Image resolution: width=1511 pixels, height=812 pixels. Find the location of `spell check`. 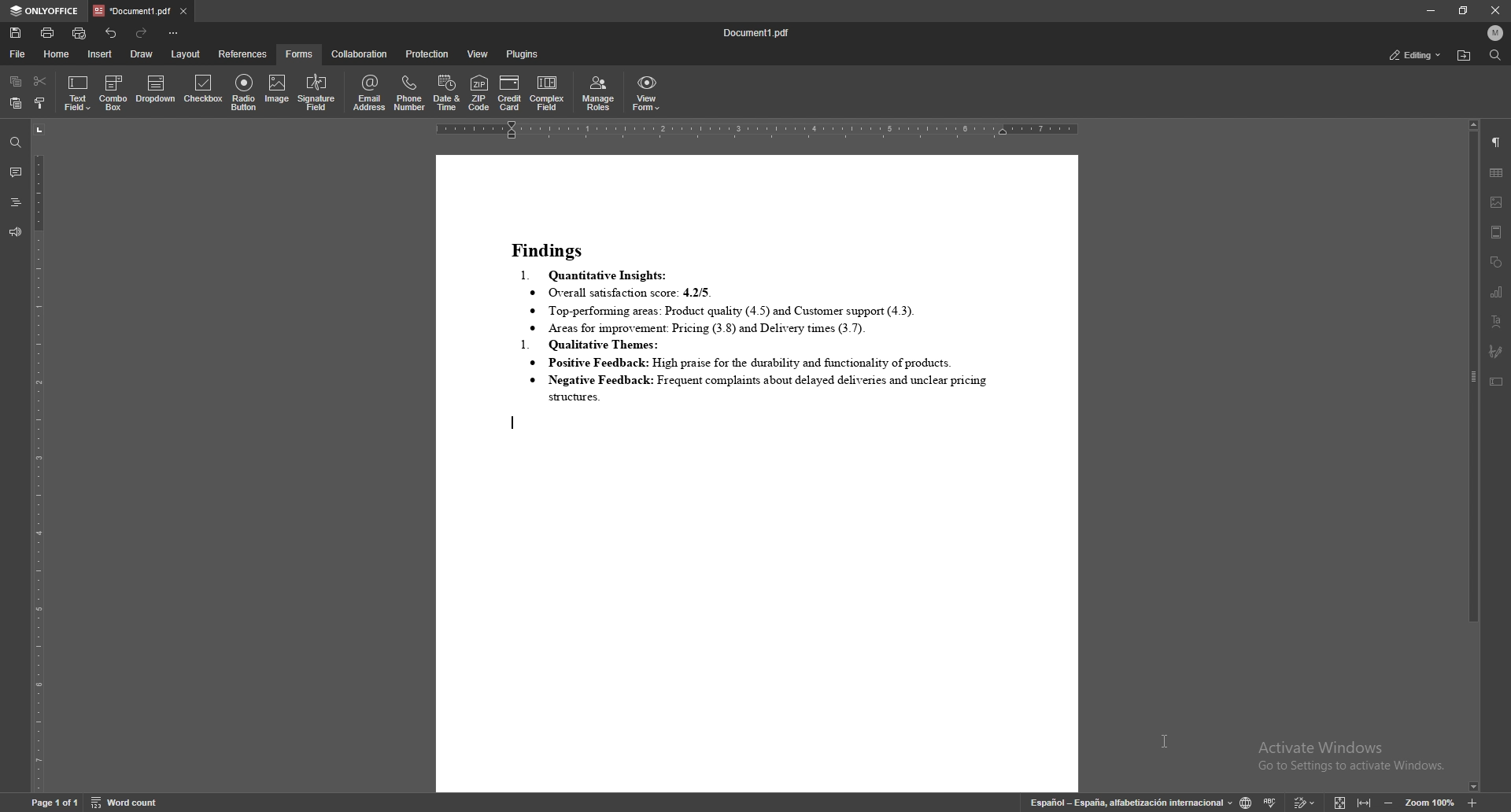

spell check is located at coordinates (1271, 802).